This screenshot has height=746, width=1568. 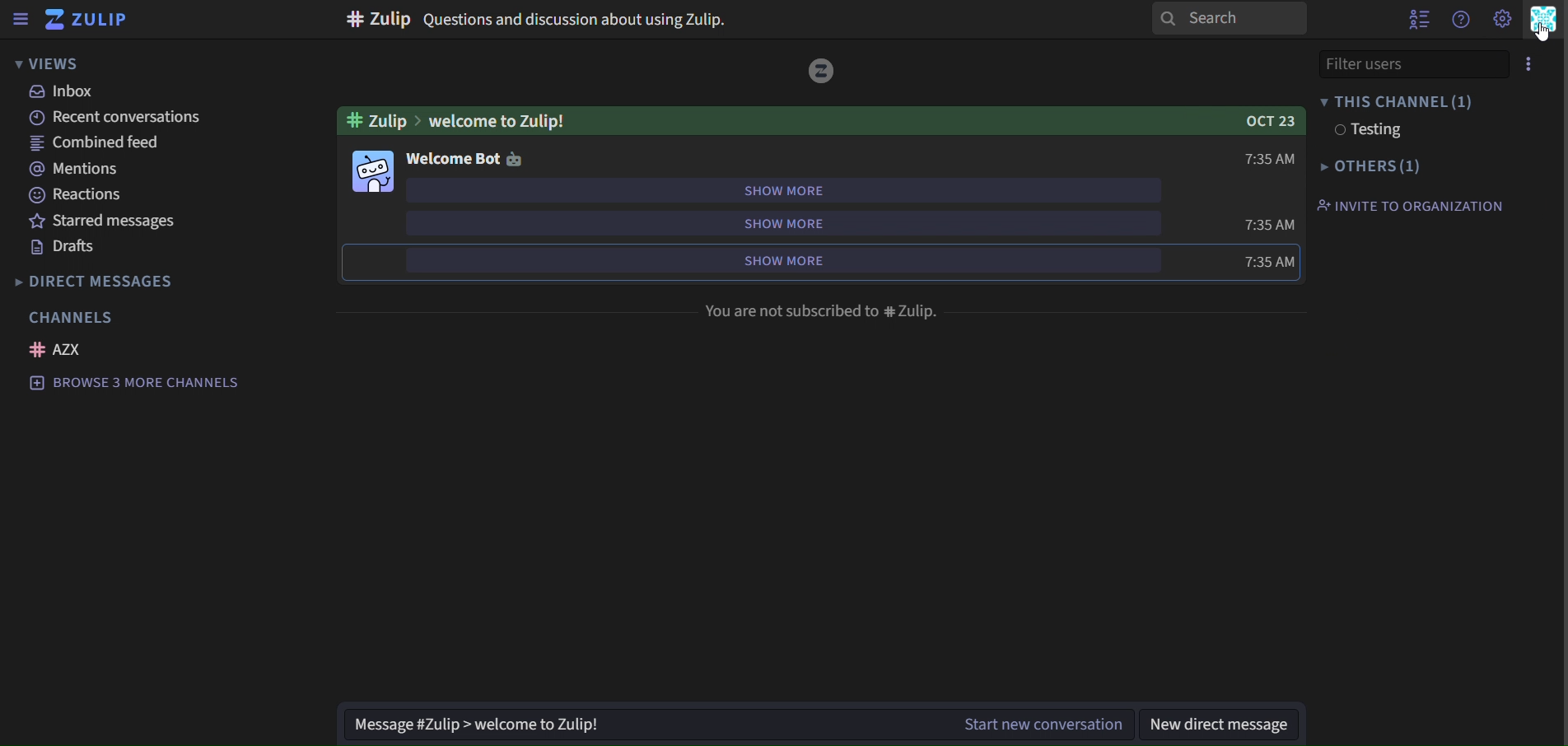 I want to click on #Zulip>, so click(x=376, y=121).